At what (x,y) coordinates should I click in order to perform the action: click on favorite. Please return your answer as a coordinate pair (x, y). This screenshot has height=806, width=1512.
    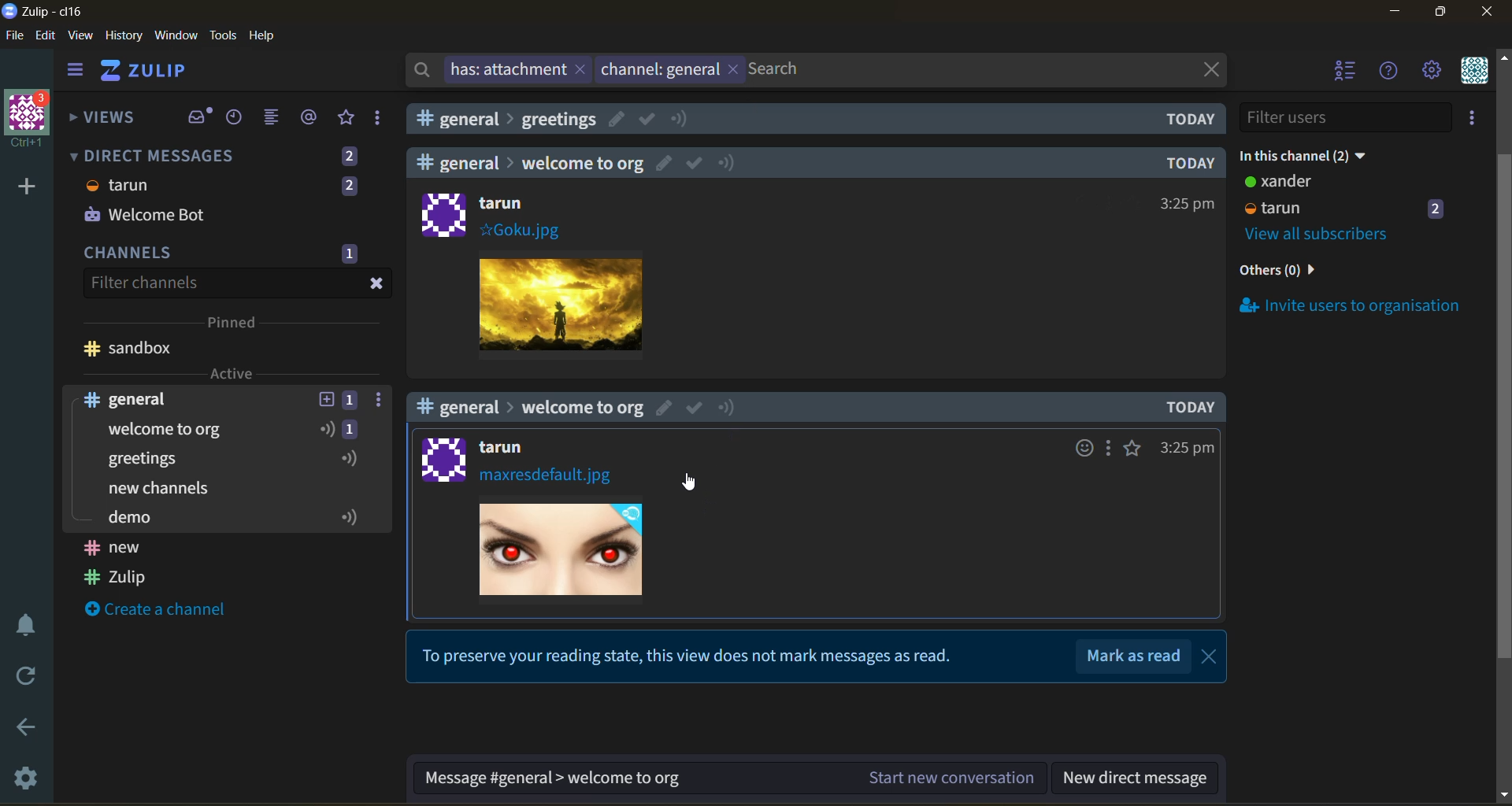
    Looking at the image, I should click on (1133, 446).